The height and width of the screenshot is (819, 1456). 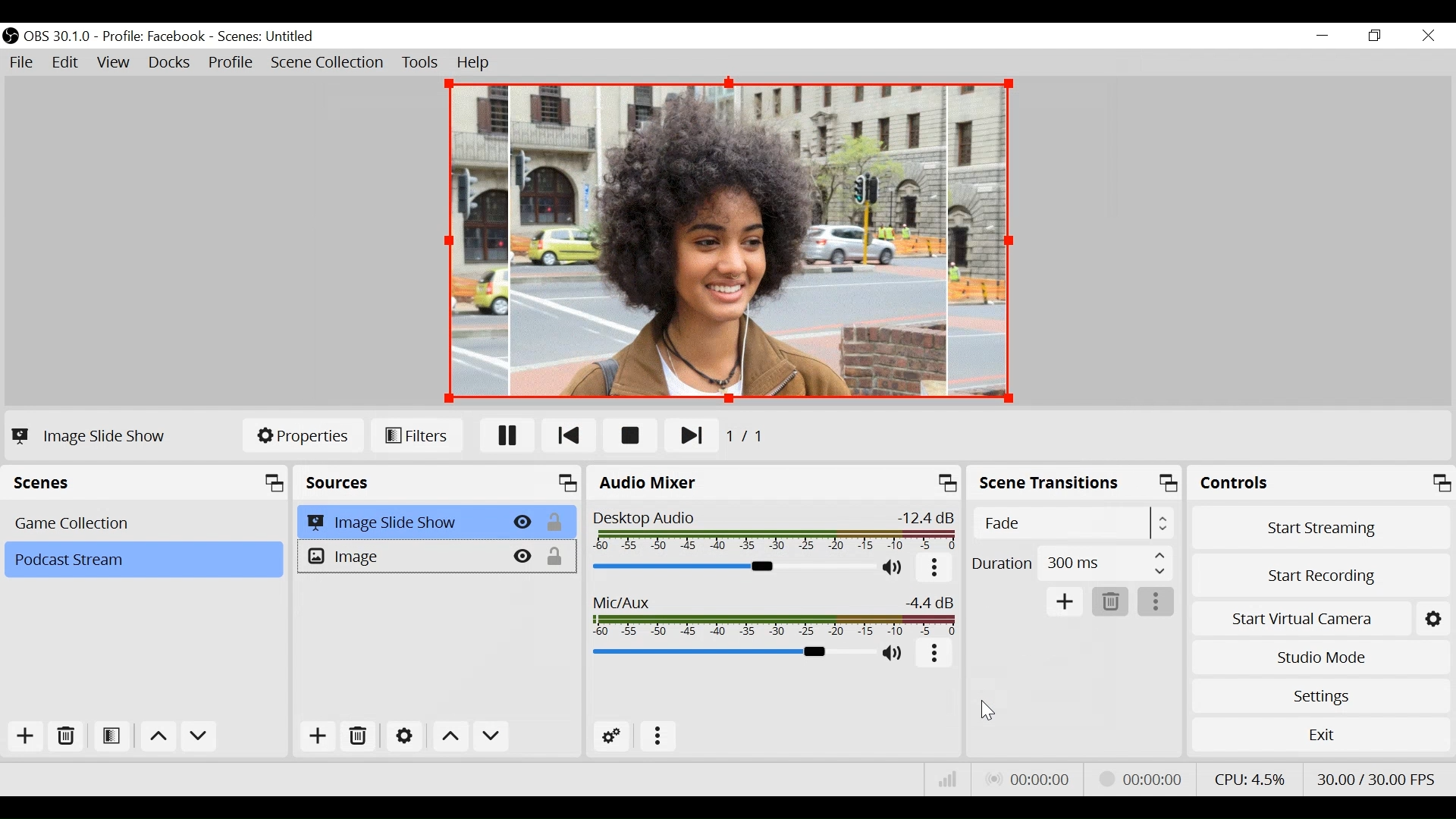 What do you see at coordinates (231, 64) in the screenshot?
I see `Profile` at bounding box center [231, 64].